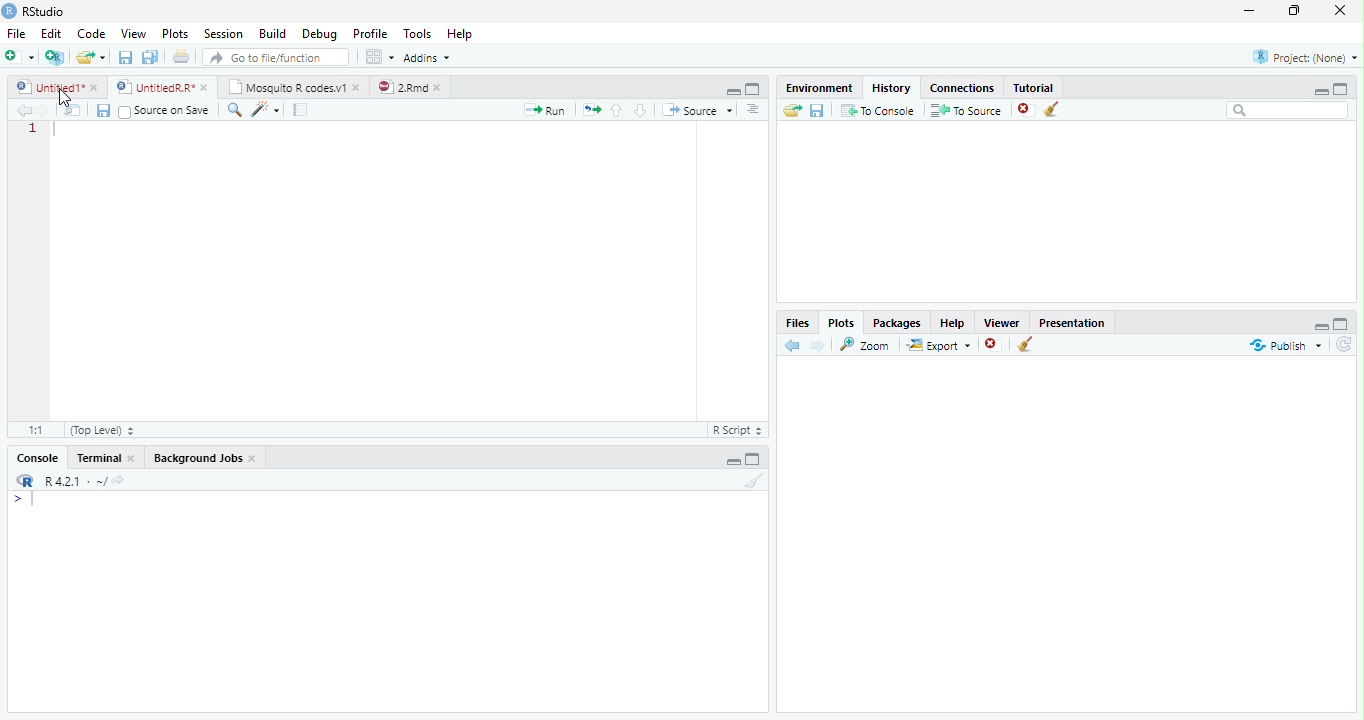  I want to click on Hide, so click(1321, 90).